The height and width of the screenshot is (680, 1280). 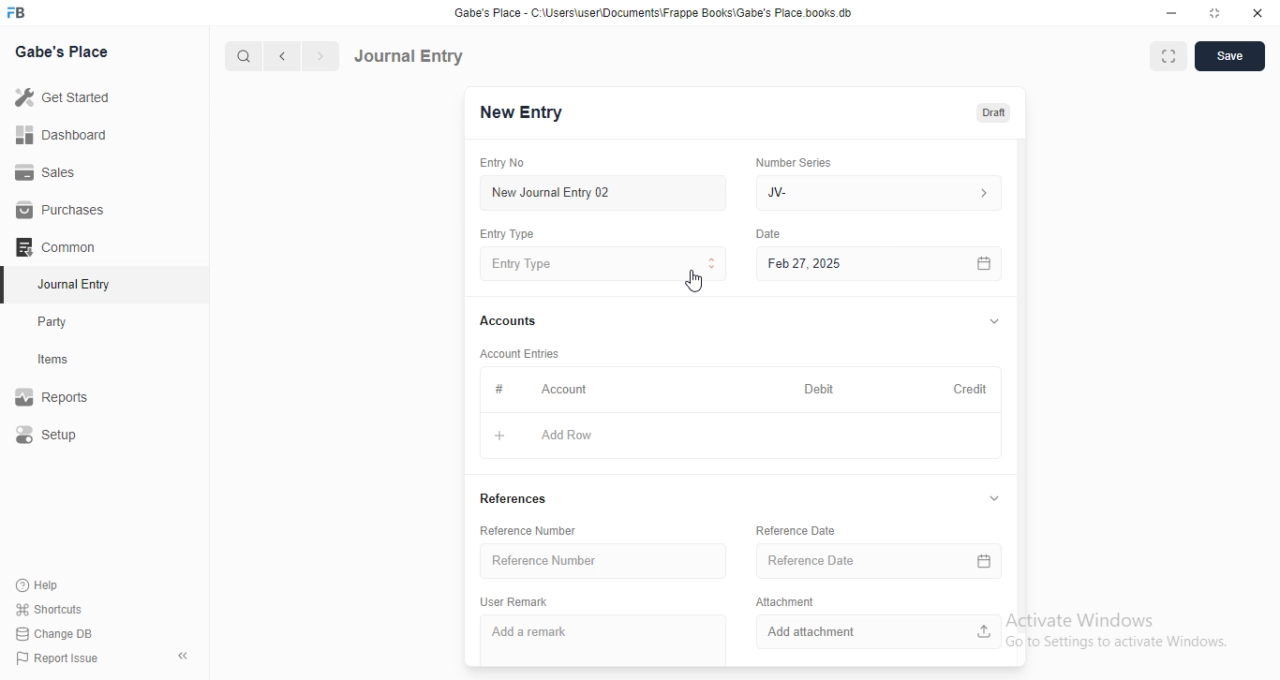 I want to click on ‘Common, so click(x=57, y=246).